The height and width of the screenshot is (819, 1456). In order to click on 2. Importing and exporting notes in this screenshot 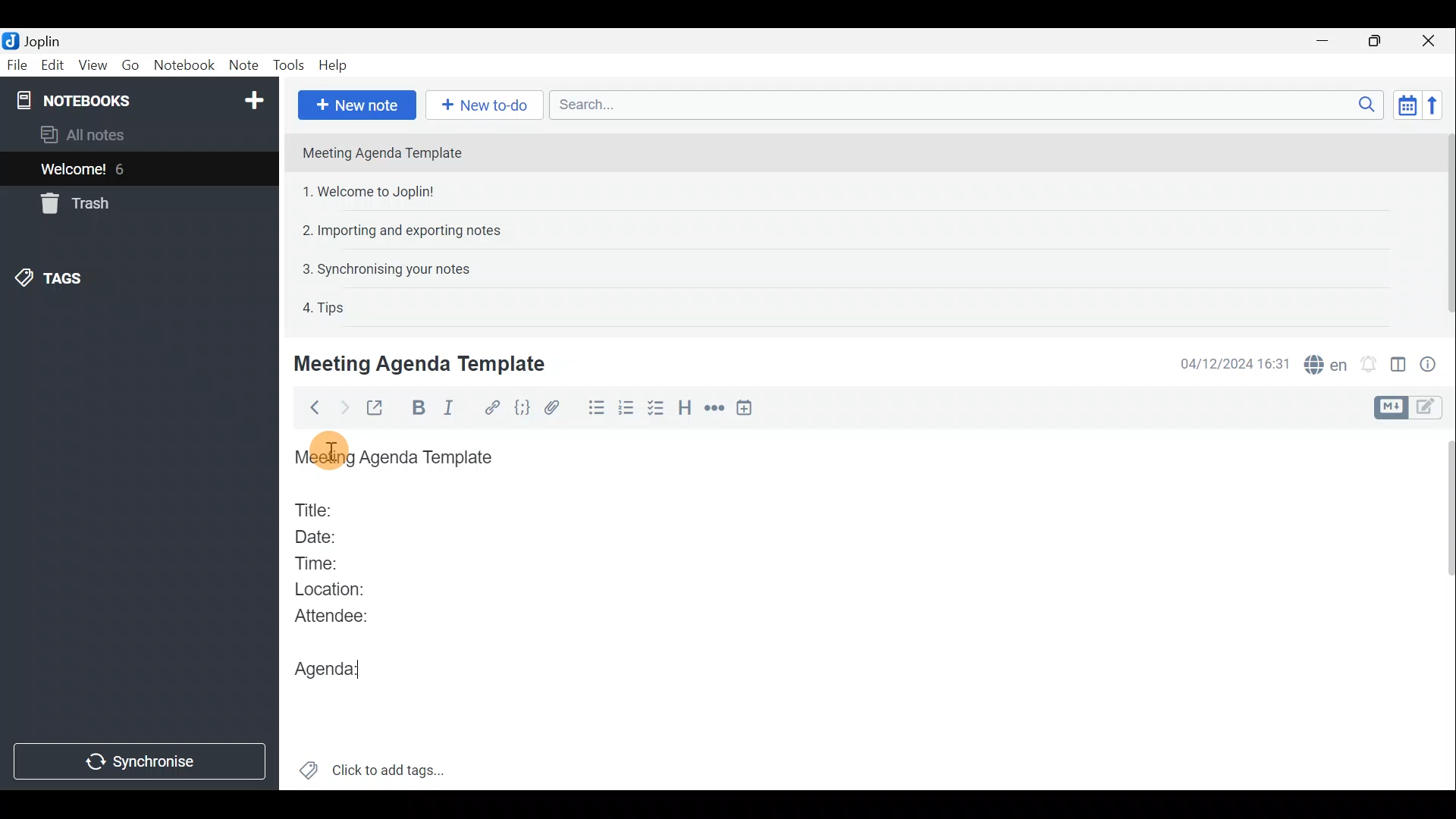, I will do `click(407, 231)`.